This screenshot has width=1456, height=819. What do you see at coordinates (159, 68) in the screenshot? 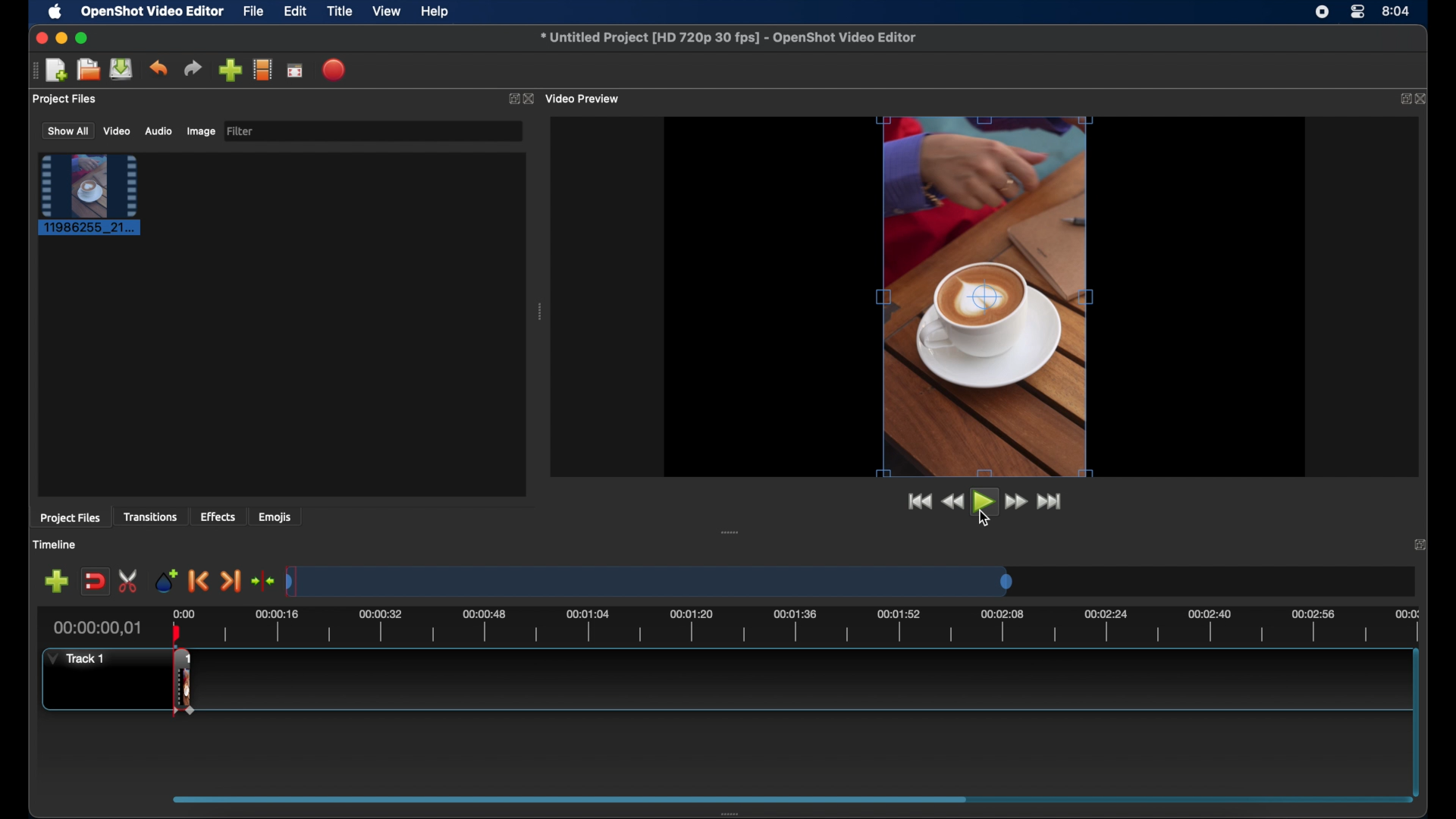
I see `undo` at bounding box center [159, 68].